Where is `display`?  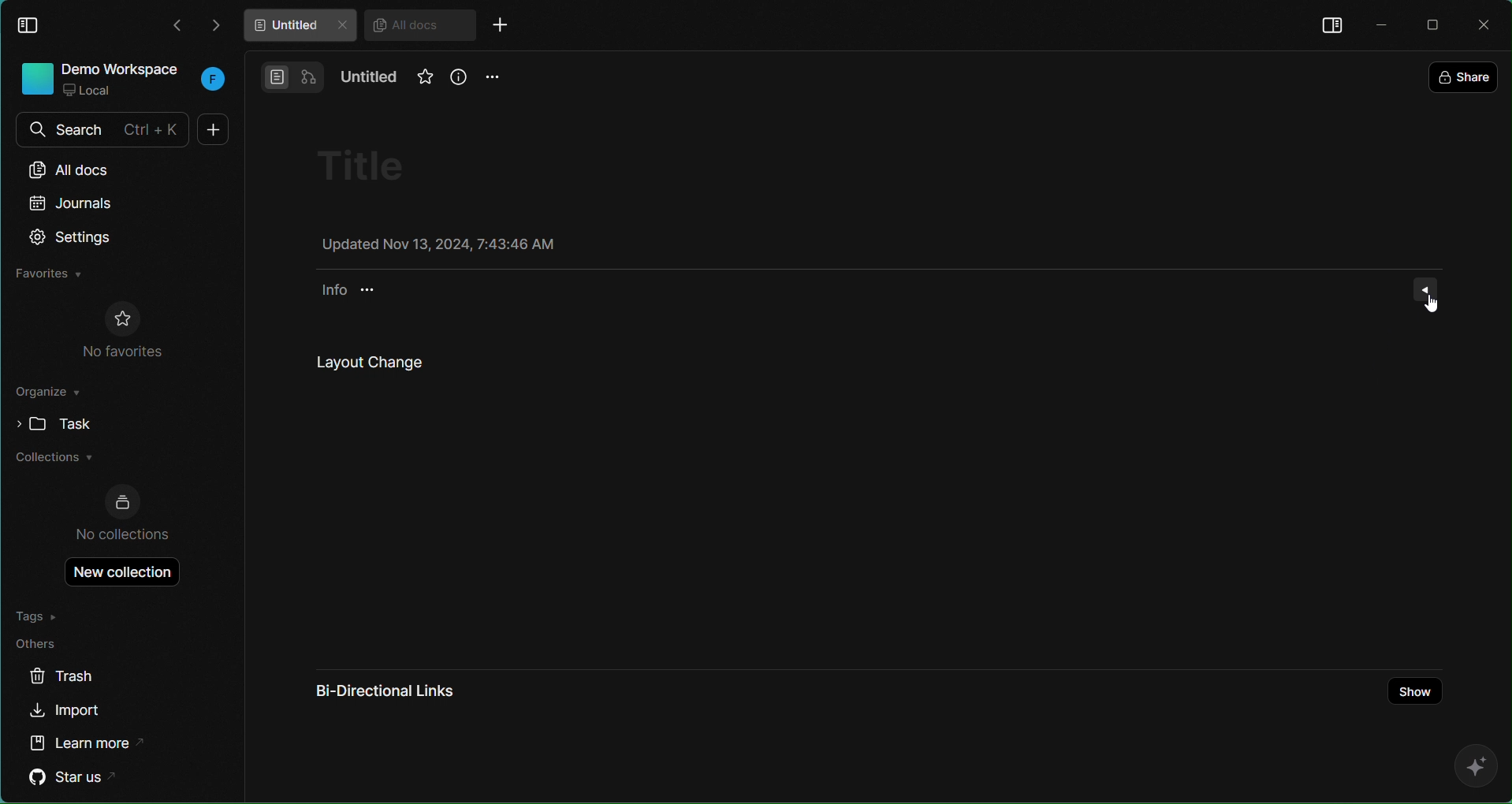
display is located at coordinates (1331, 24).